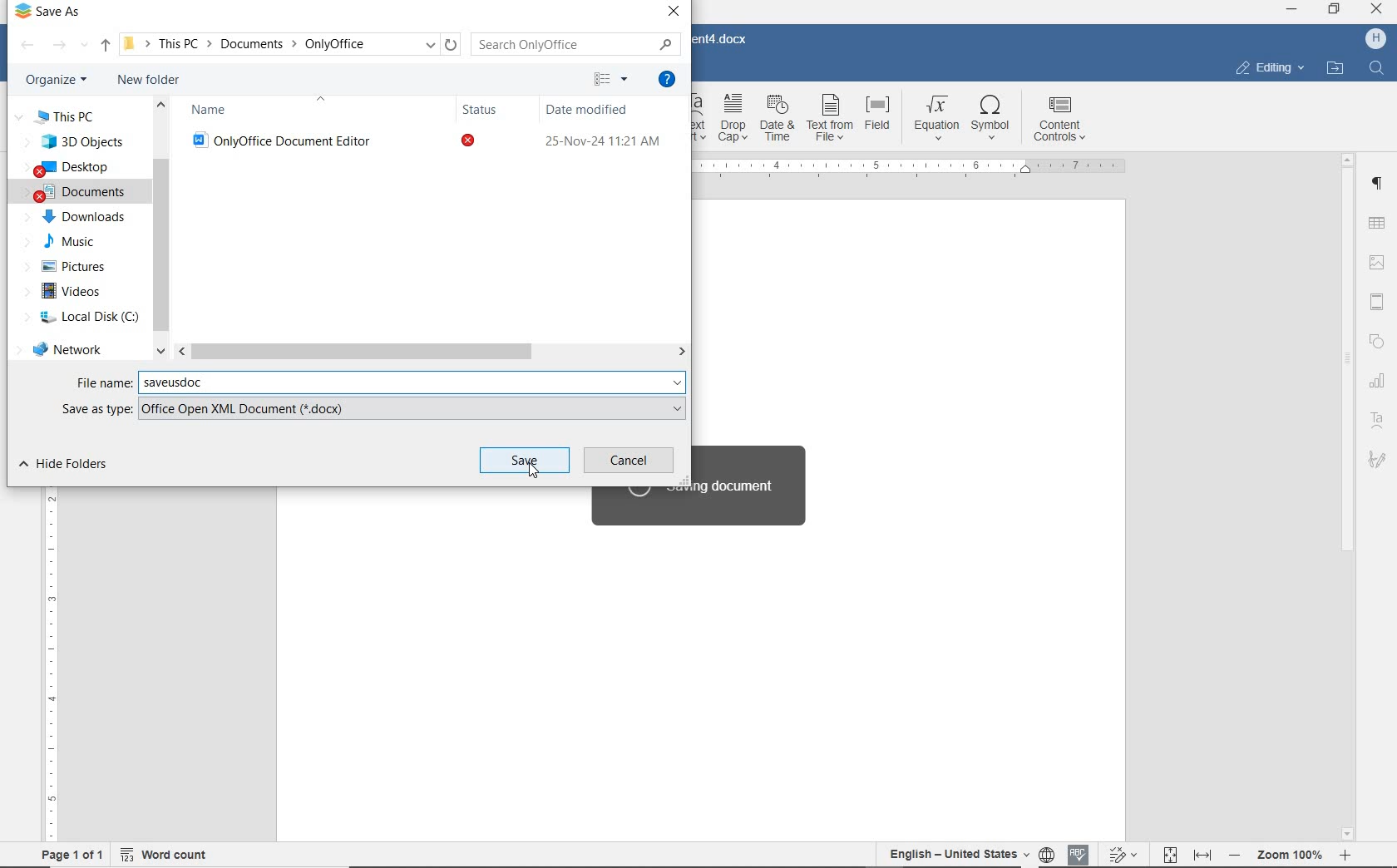 The image size is (1397, 868). I want to click on VIDEOS, so click(62, 291).